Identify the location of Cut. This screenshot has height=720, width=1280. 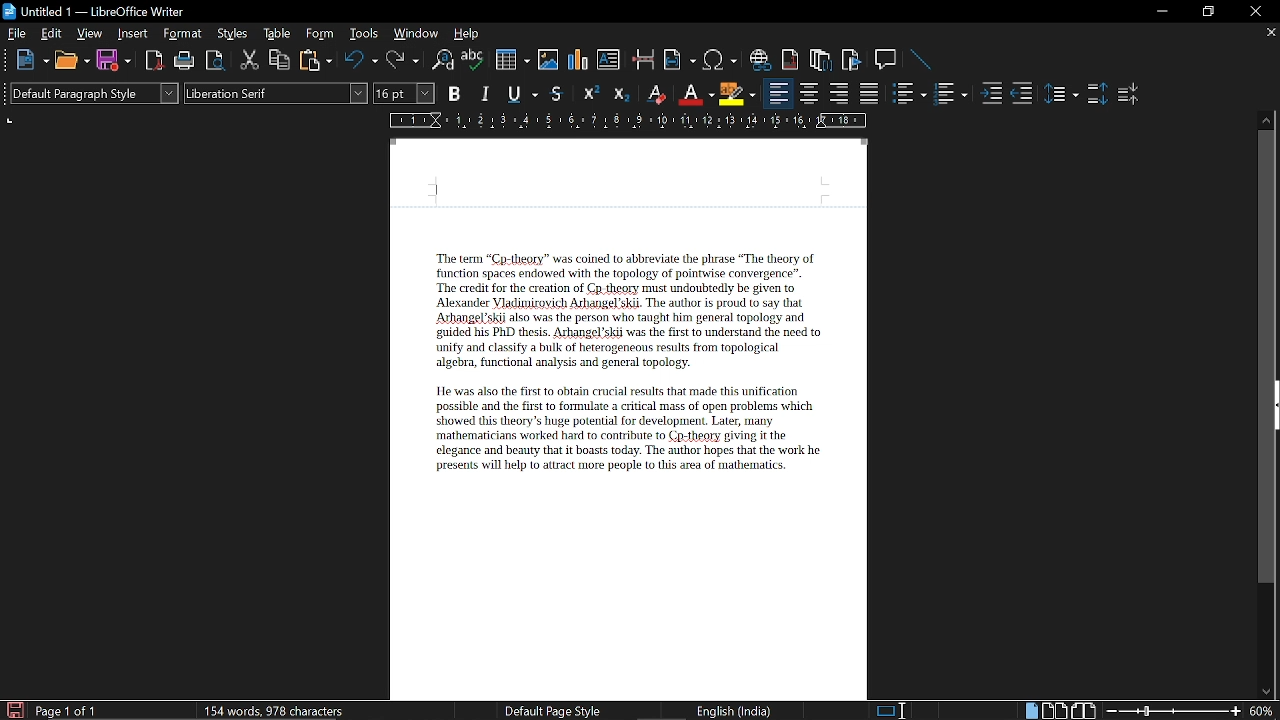
(250, 60).